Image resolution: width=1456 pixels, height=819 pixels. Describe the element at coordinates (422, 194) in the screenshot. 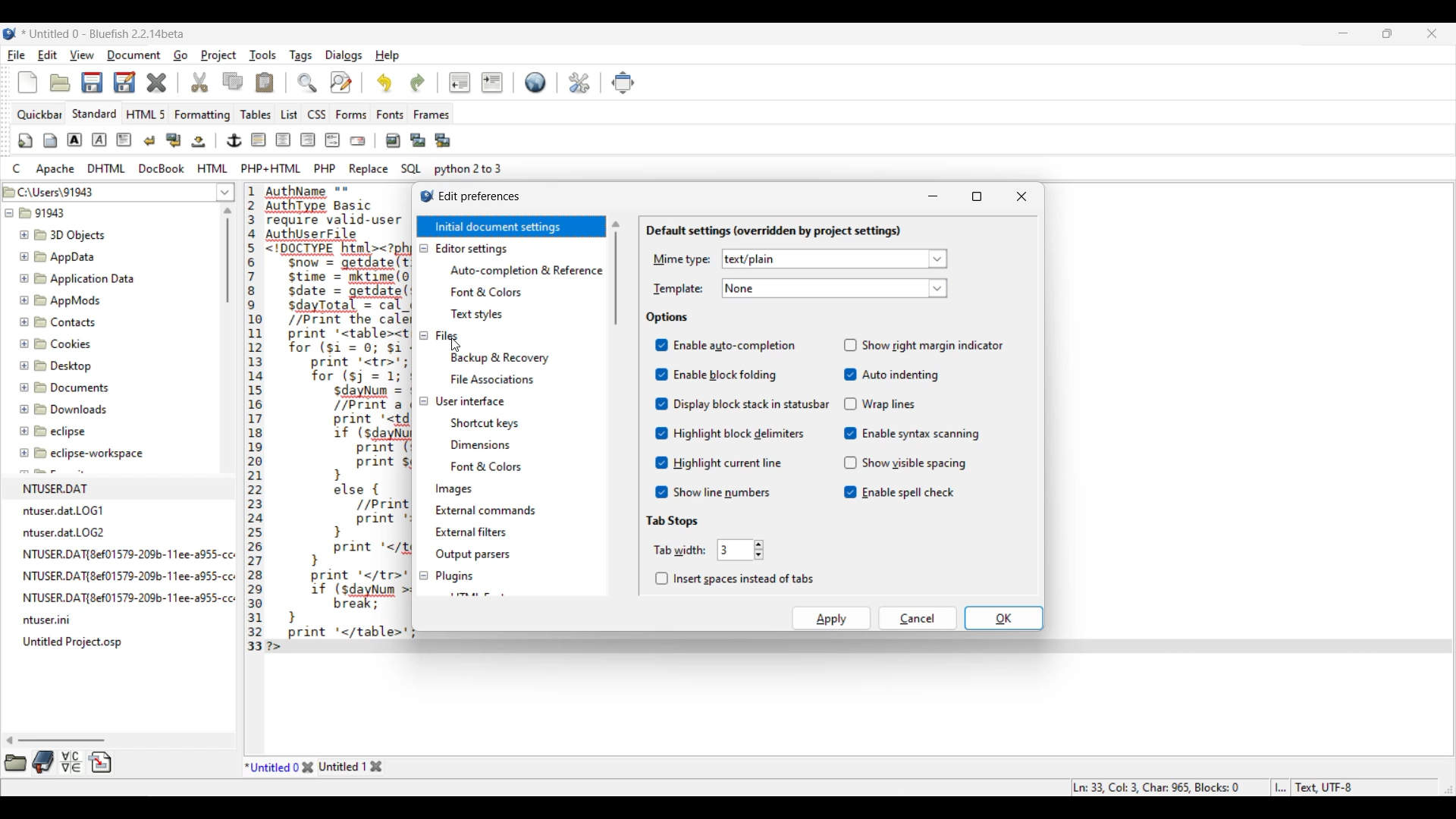

I see `icon` at that location.